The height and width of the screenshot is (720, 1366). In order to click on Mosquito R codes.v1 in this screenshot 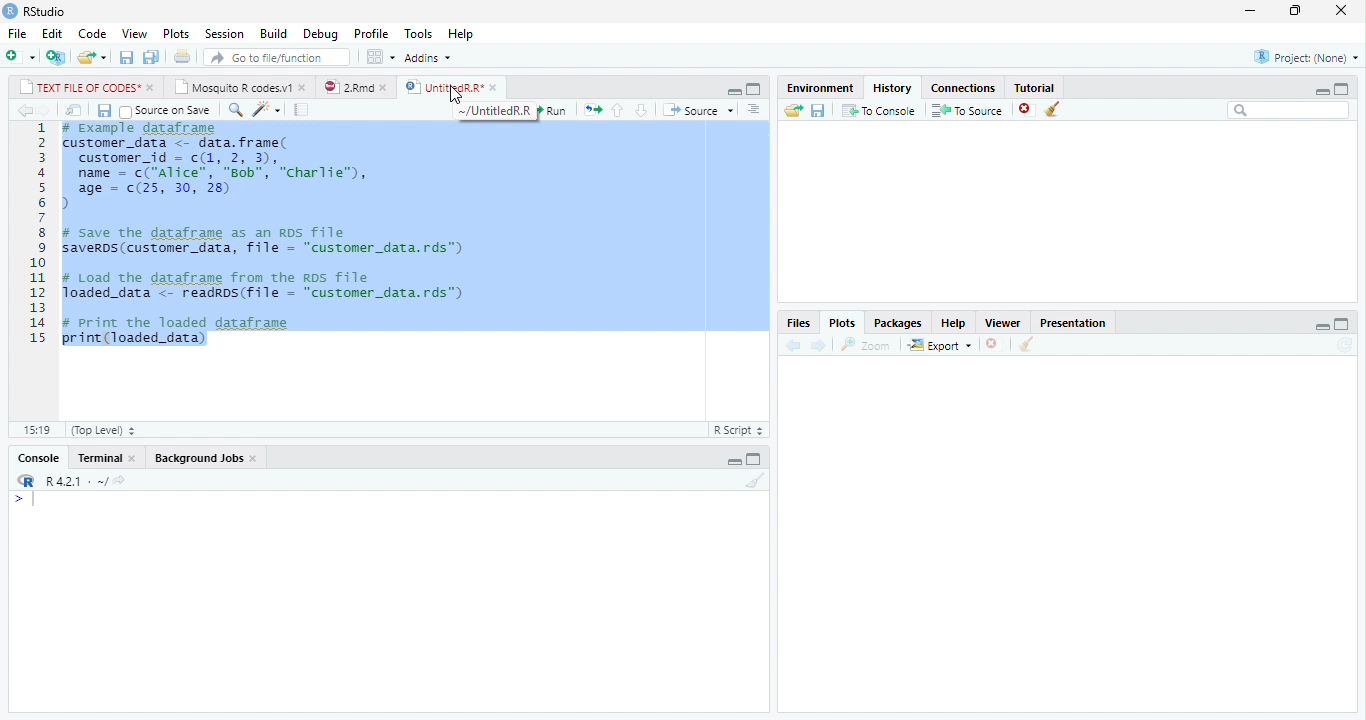, I will do `click(232, 87)`.